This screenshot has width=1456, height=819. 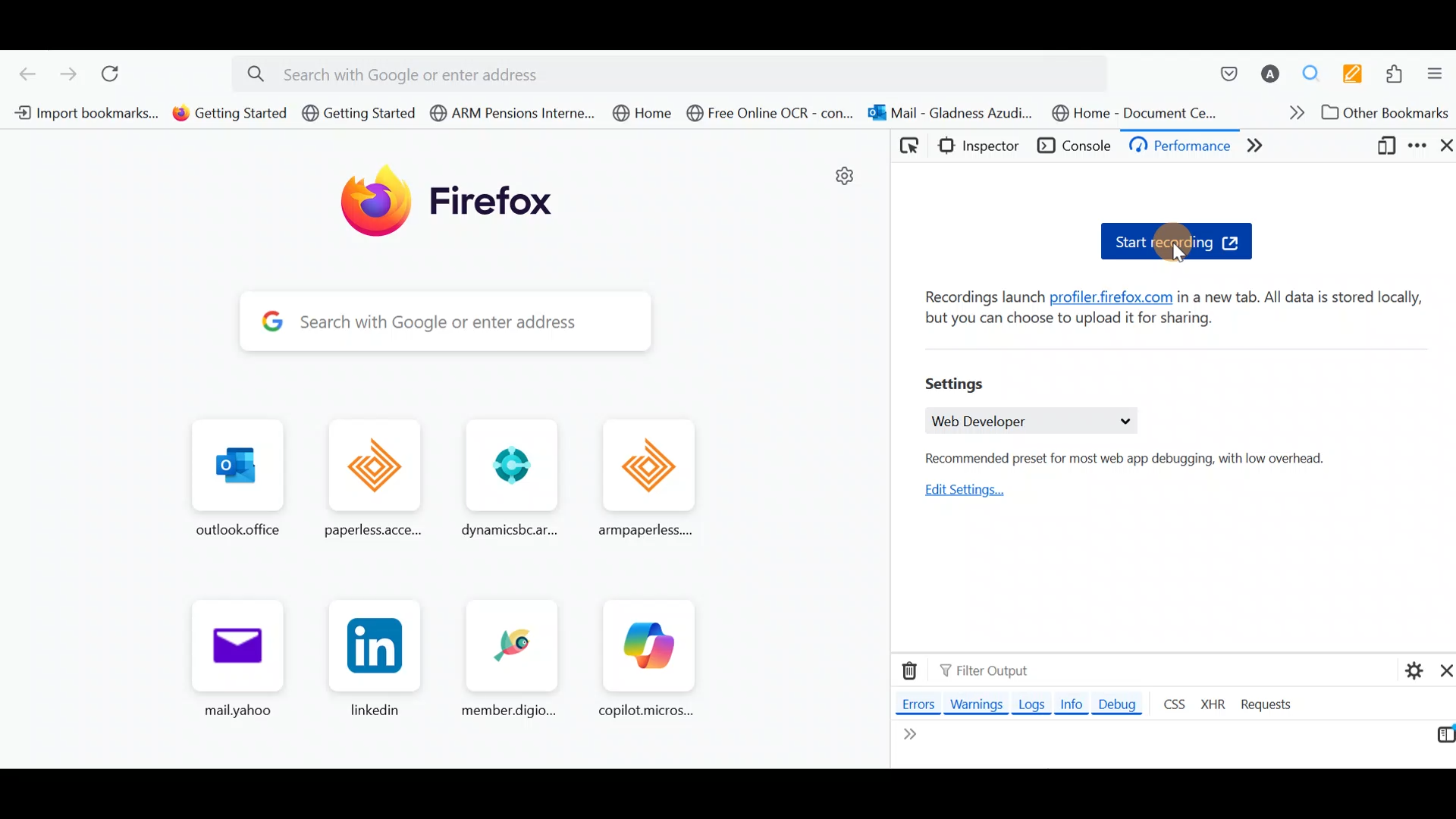 I want to click on Bookmark 2, so click(x=230, y=113).